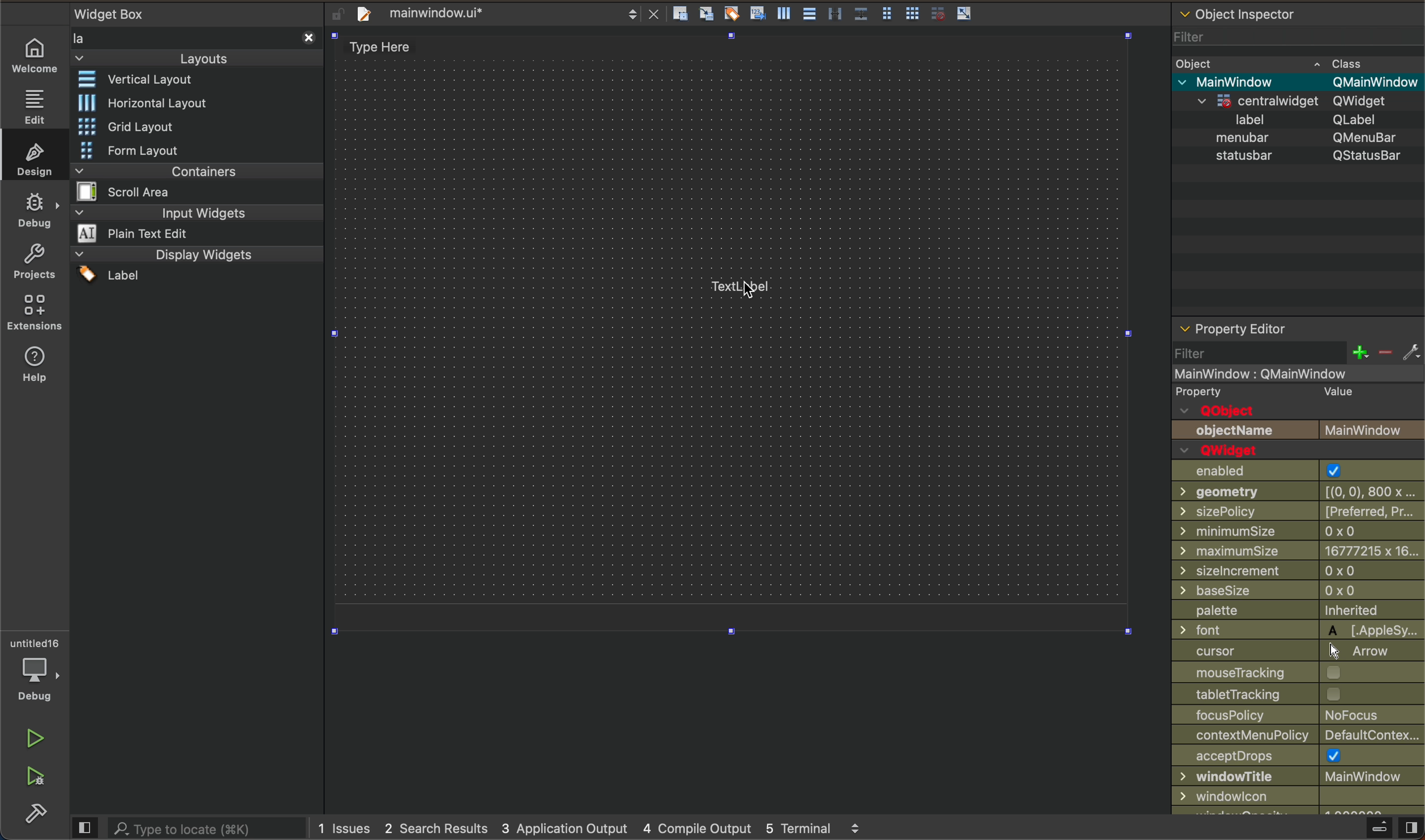 This screenshot has height=840, width=1425. I want to click on mainwindow, so click(1300, 82).